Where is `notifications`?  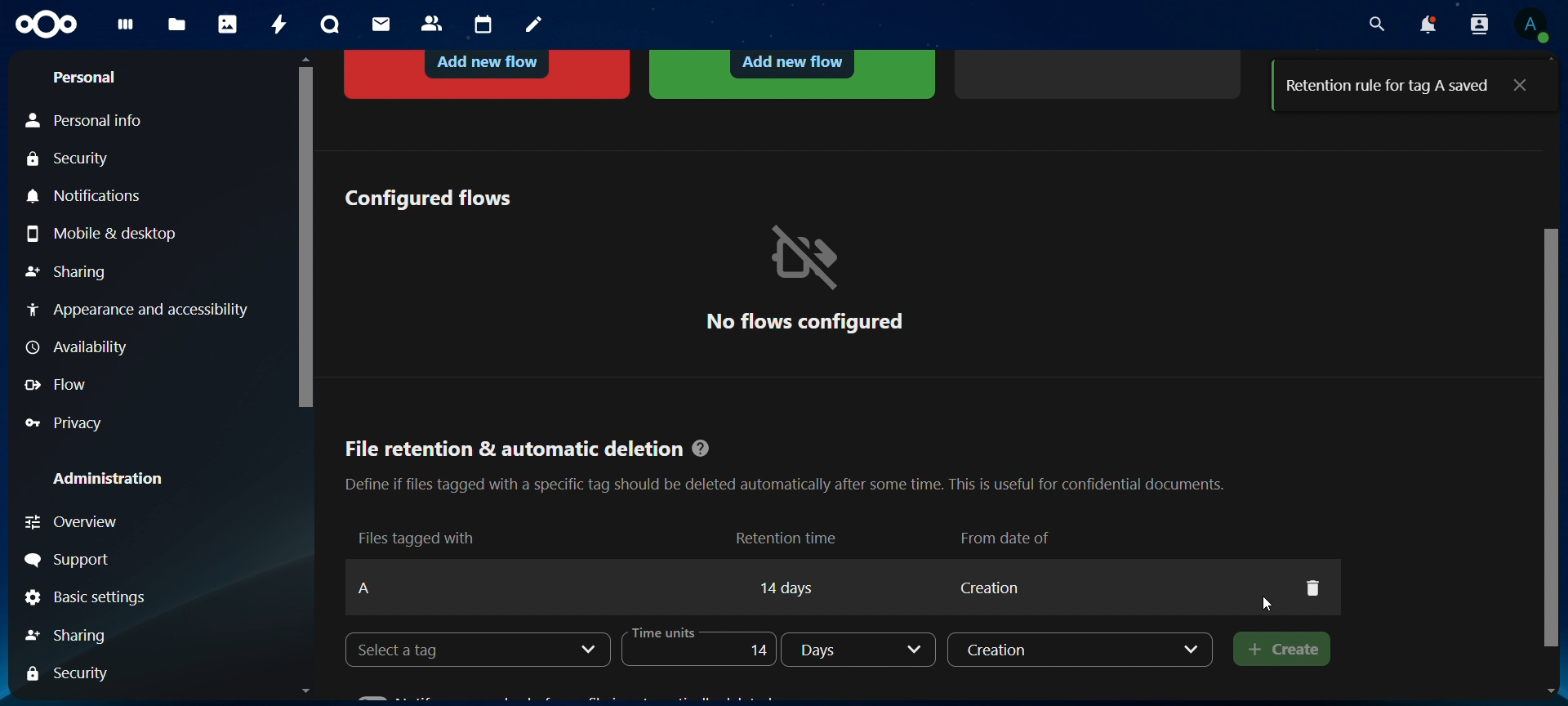
notifications is located at coordinates (1427, 25).